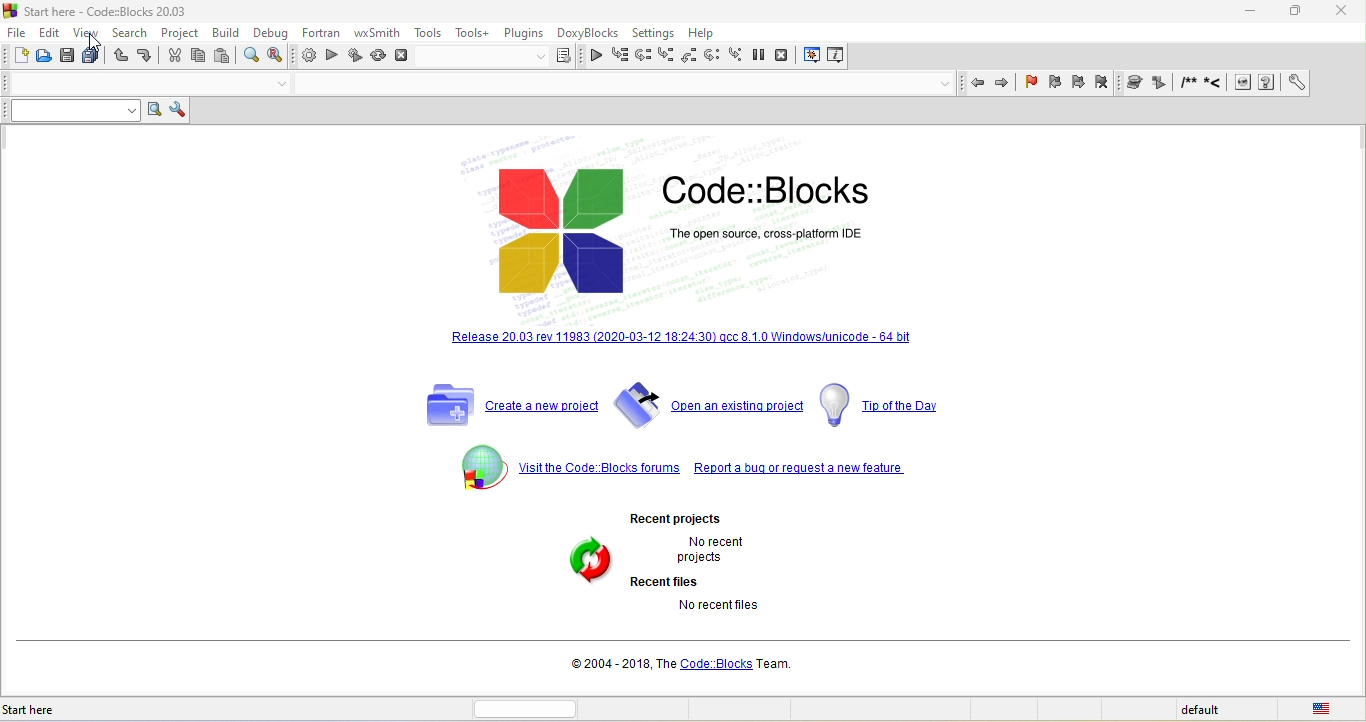 This screenshot has width=1366, height=722. What do you see at coordinates (596, 59) in the screenshot?
I see `continue` at bounding box center [596, 59].